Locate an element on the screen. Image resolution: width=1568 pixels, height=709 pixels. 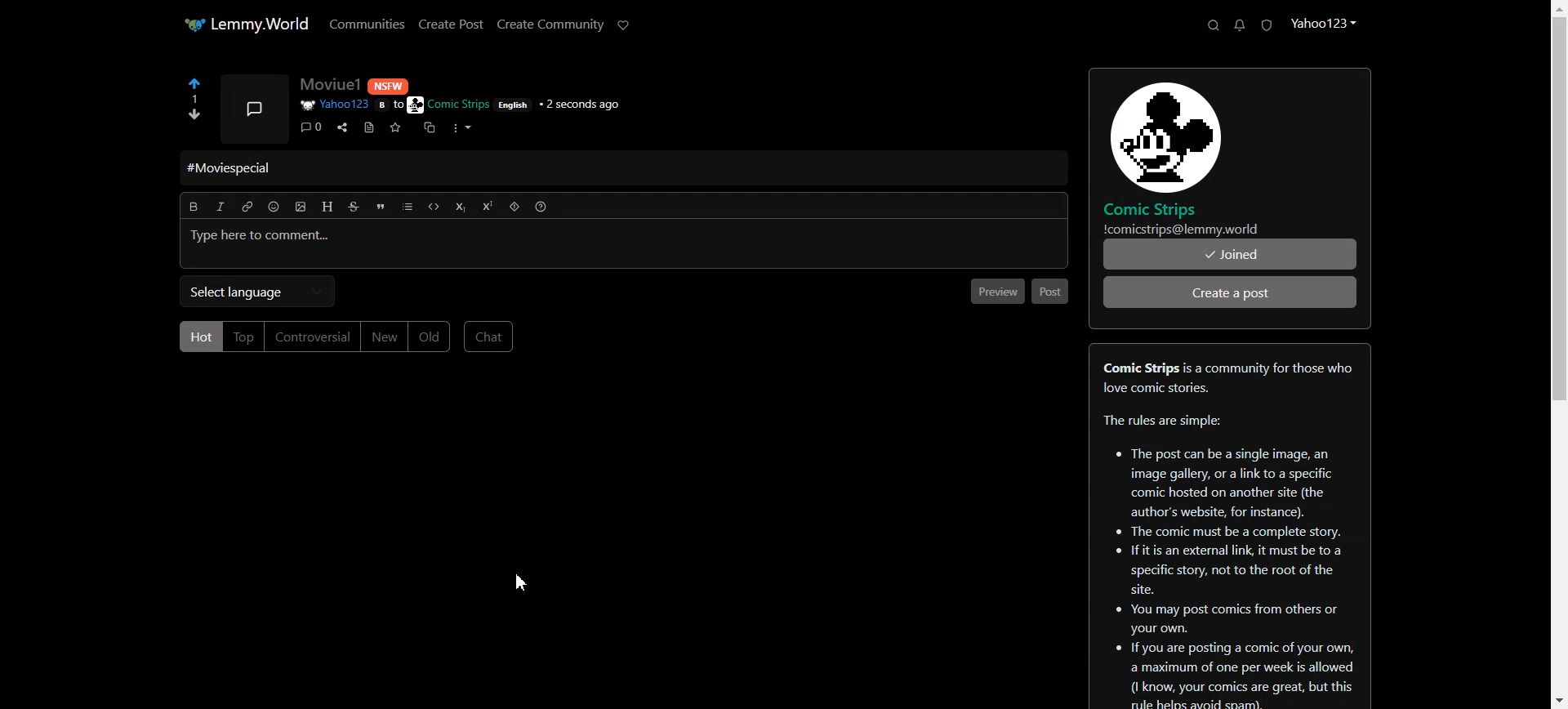
New is located at coordinates (381, 337).